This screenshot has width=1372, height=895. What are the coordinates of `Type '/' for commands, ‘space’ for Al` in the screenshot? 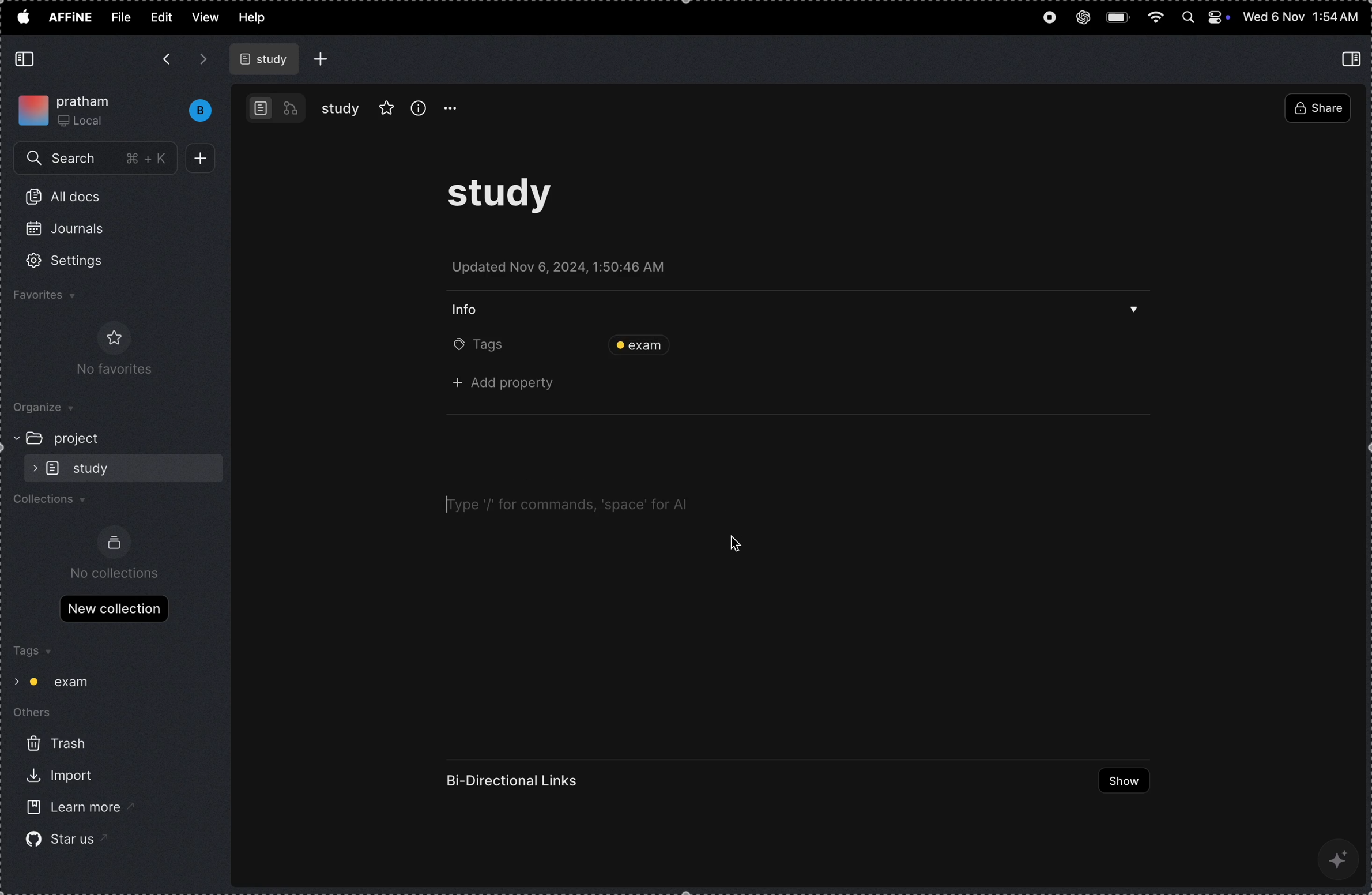 It's located at (564, 501).